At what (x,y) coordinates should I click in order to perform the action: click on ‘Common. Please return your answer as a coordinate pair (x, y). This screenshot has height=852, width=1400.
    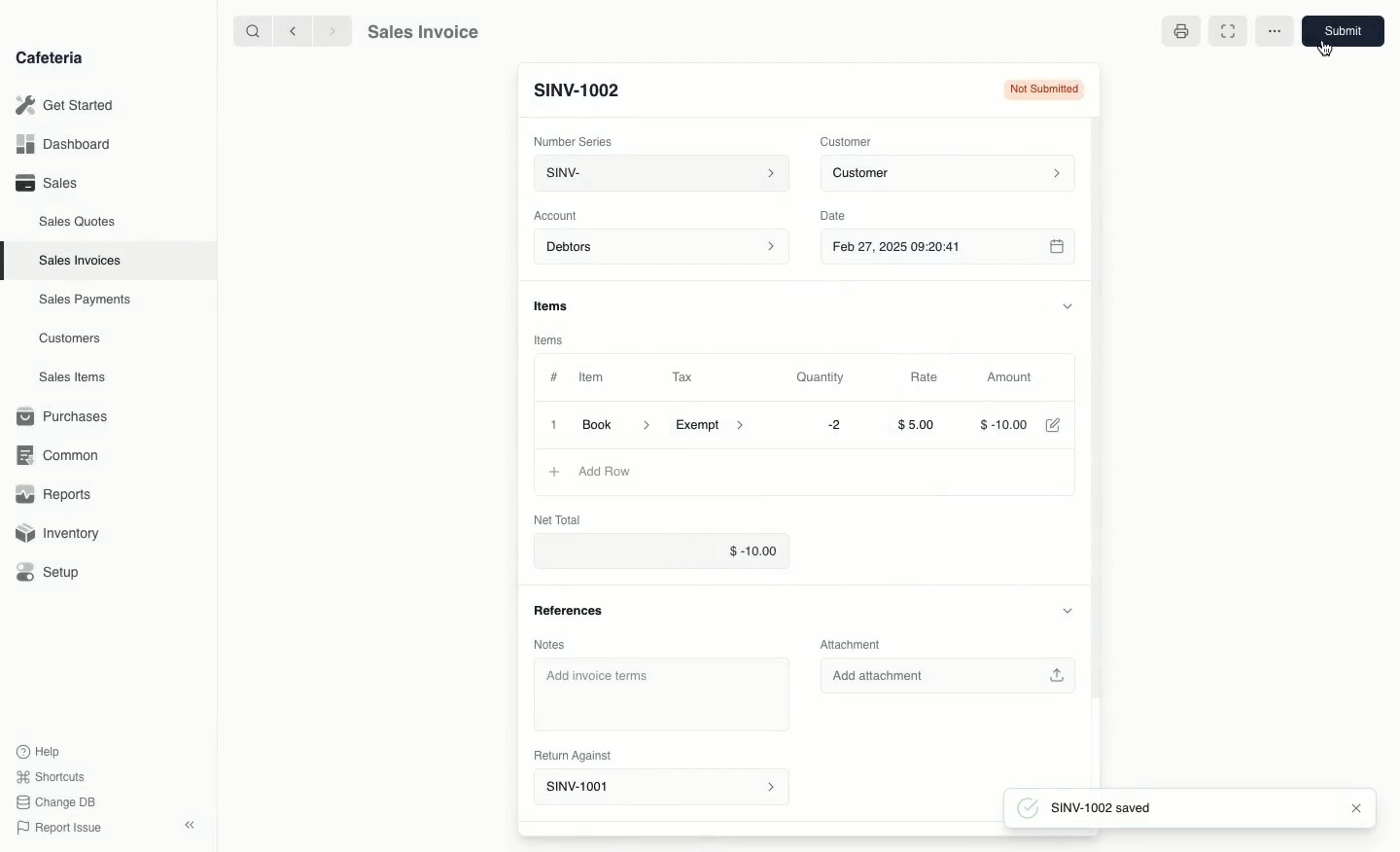
    Looking at the image, I should click on (58, 454).